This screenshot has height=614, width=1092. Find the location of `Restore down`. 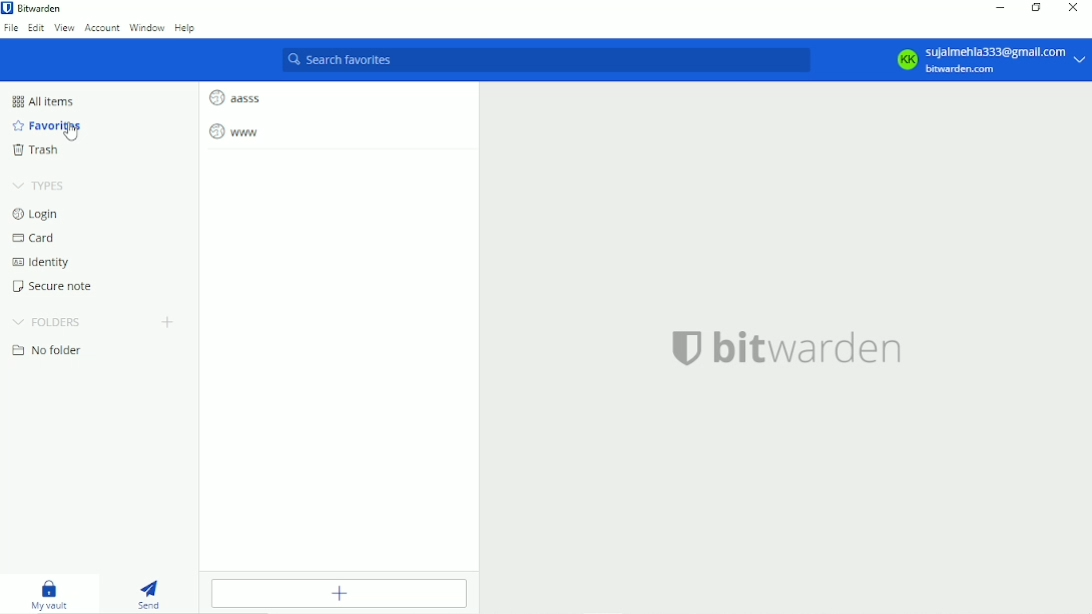

Restore down is located at coordinates (1035, 8).